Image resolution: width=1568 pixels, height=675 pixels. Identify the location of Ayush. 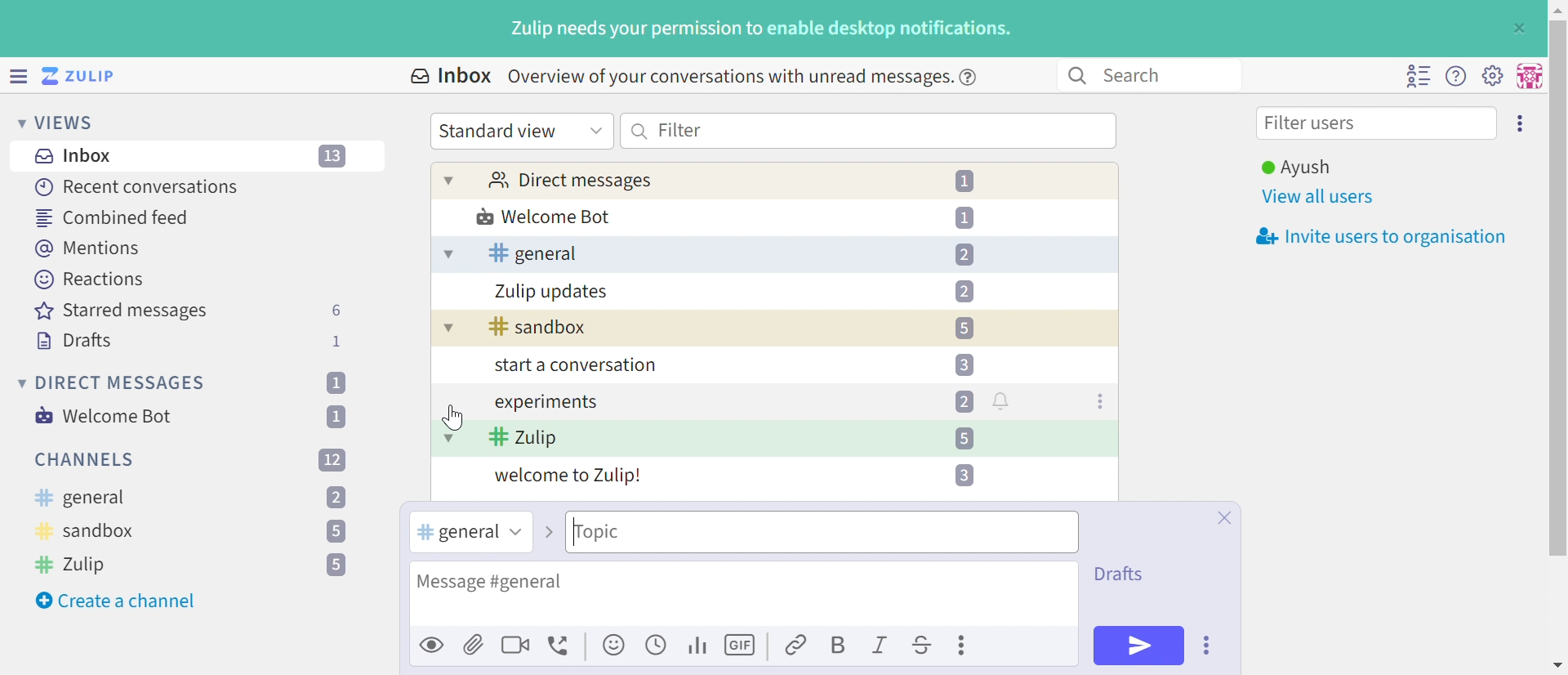
(1294, 168).